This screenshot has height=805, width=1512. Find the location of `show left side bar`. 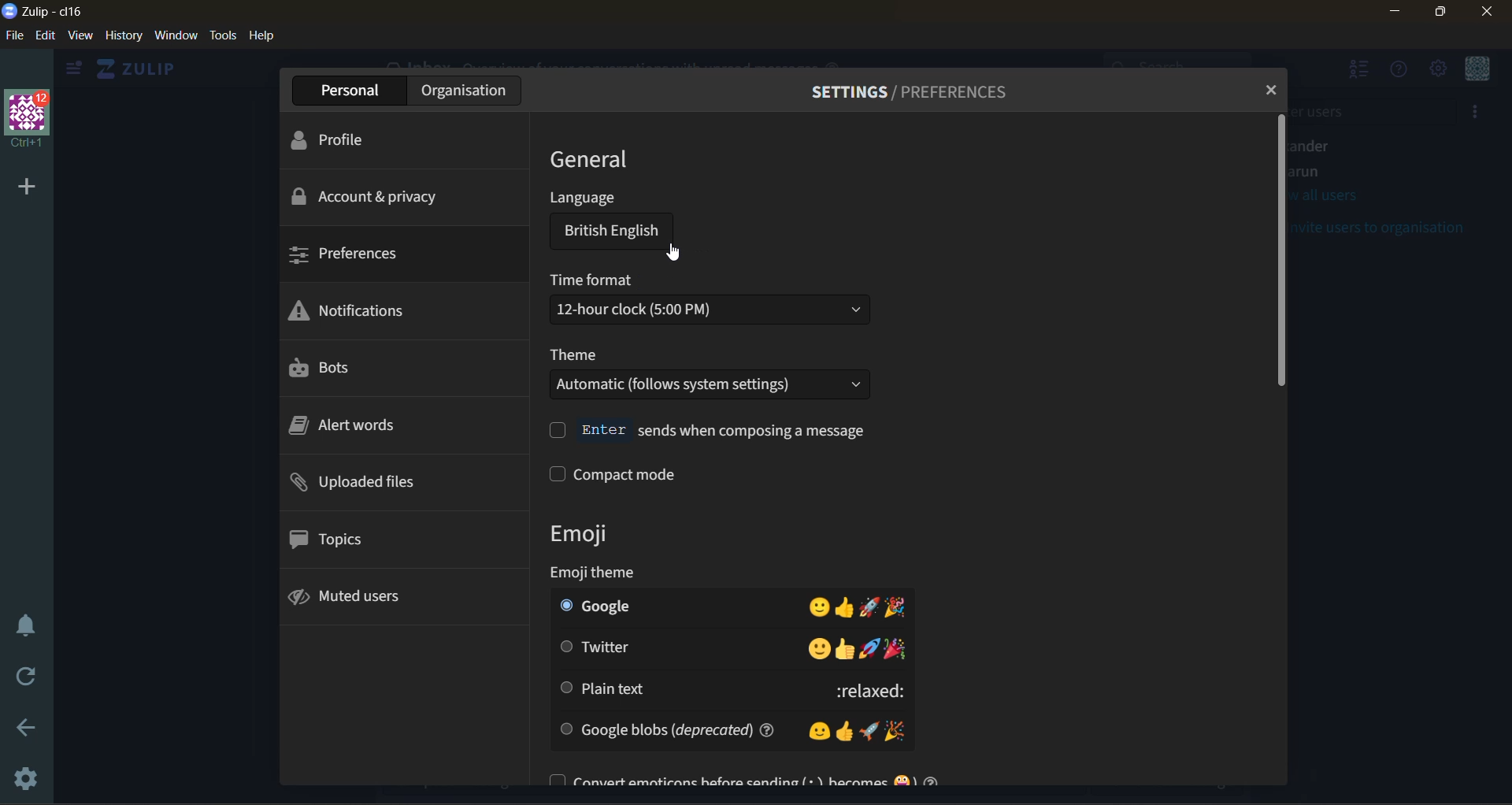

show left side bar is located at coordinates (73, 69).